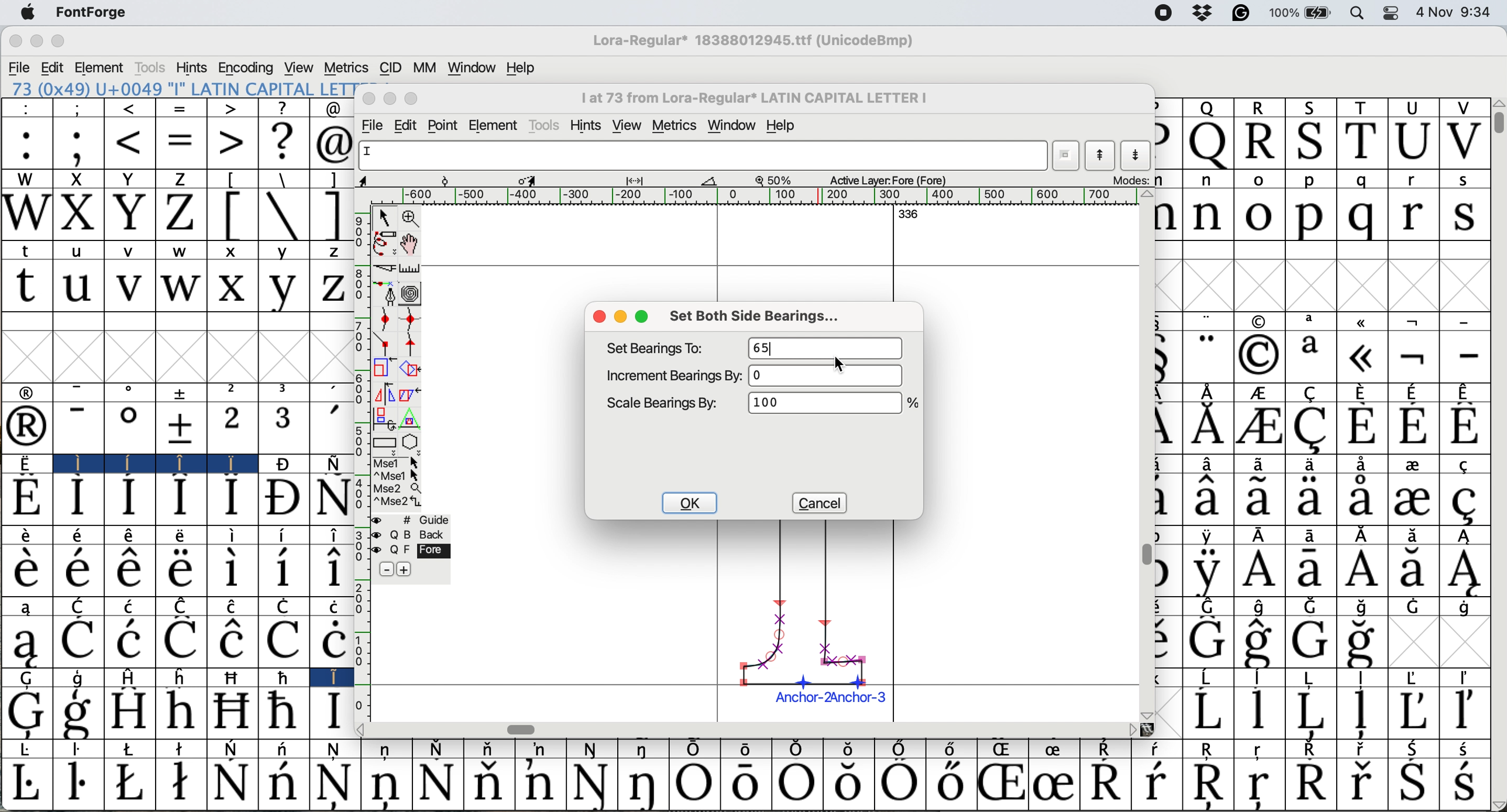  Describe the element at coordinates (412, 345) in the screenshot. I see `tangent point` at that location.